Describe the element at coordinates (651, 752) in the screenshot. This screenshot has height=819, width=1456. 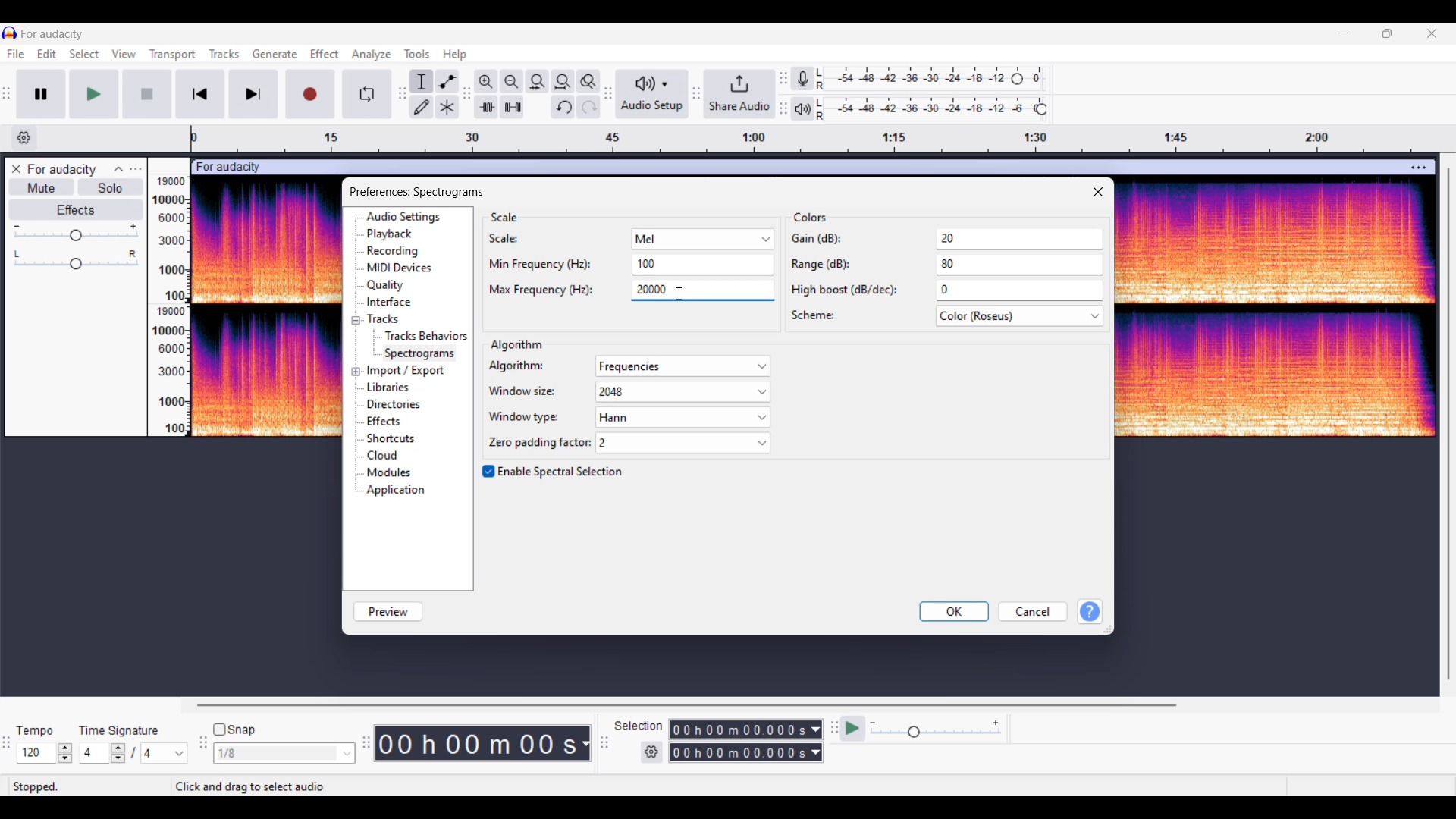
I see `Settings` at that location.